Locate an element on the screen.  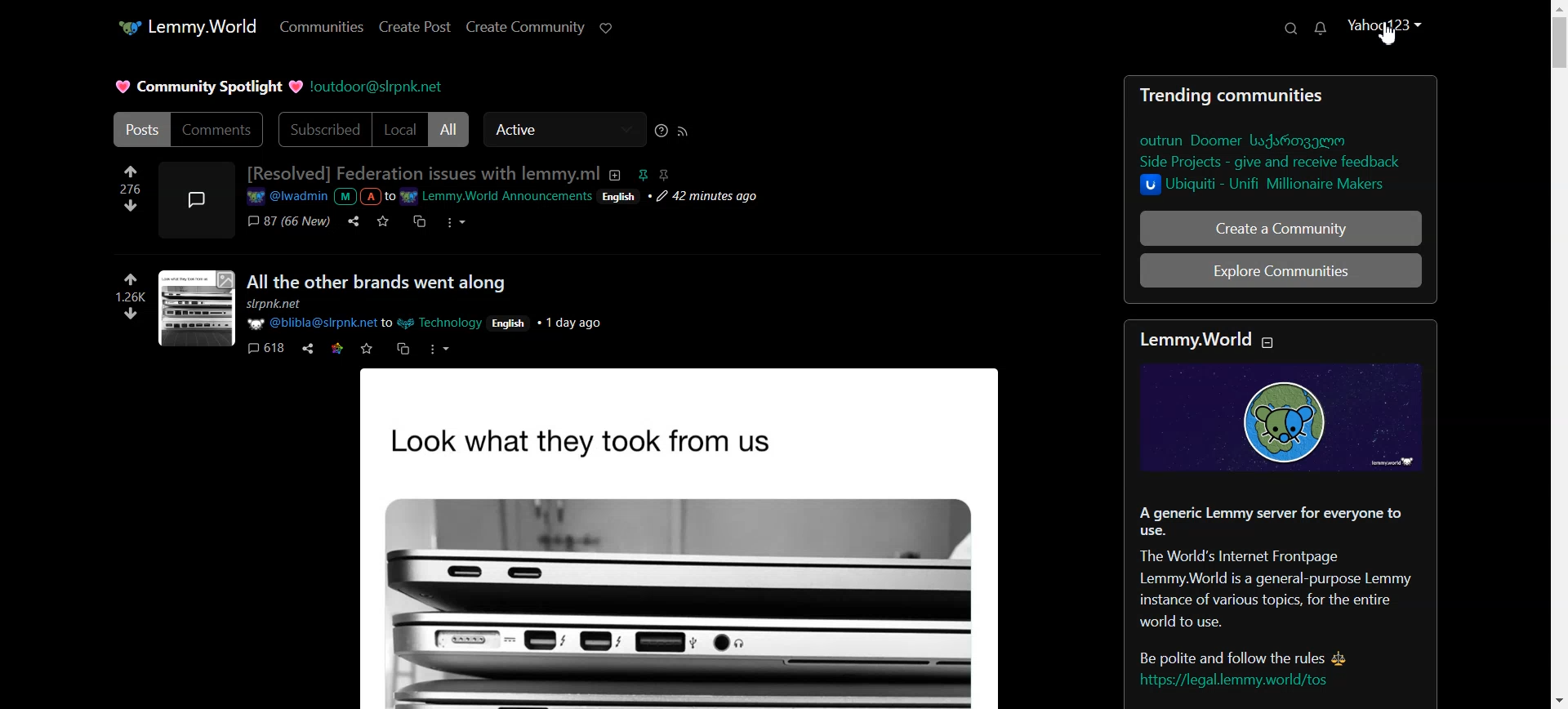
*
26K is located at coordinates (137, 288).